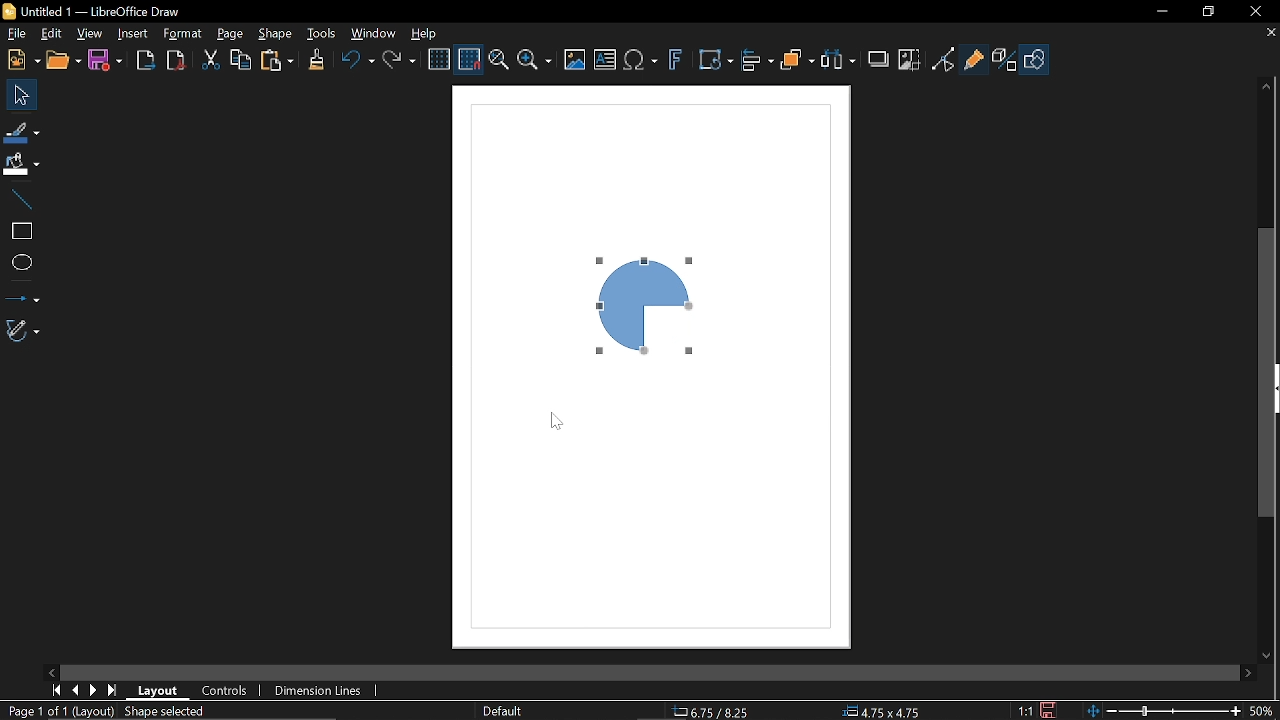 This screenshot has height=720, width=1280. I want to click on Arrange, so click(799, 61).